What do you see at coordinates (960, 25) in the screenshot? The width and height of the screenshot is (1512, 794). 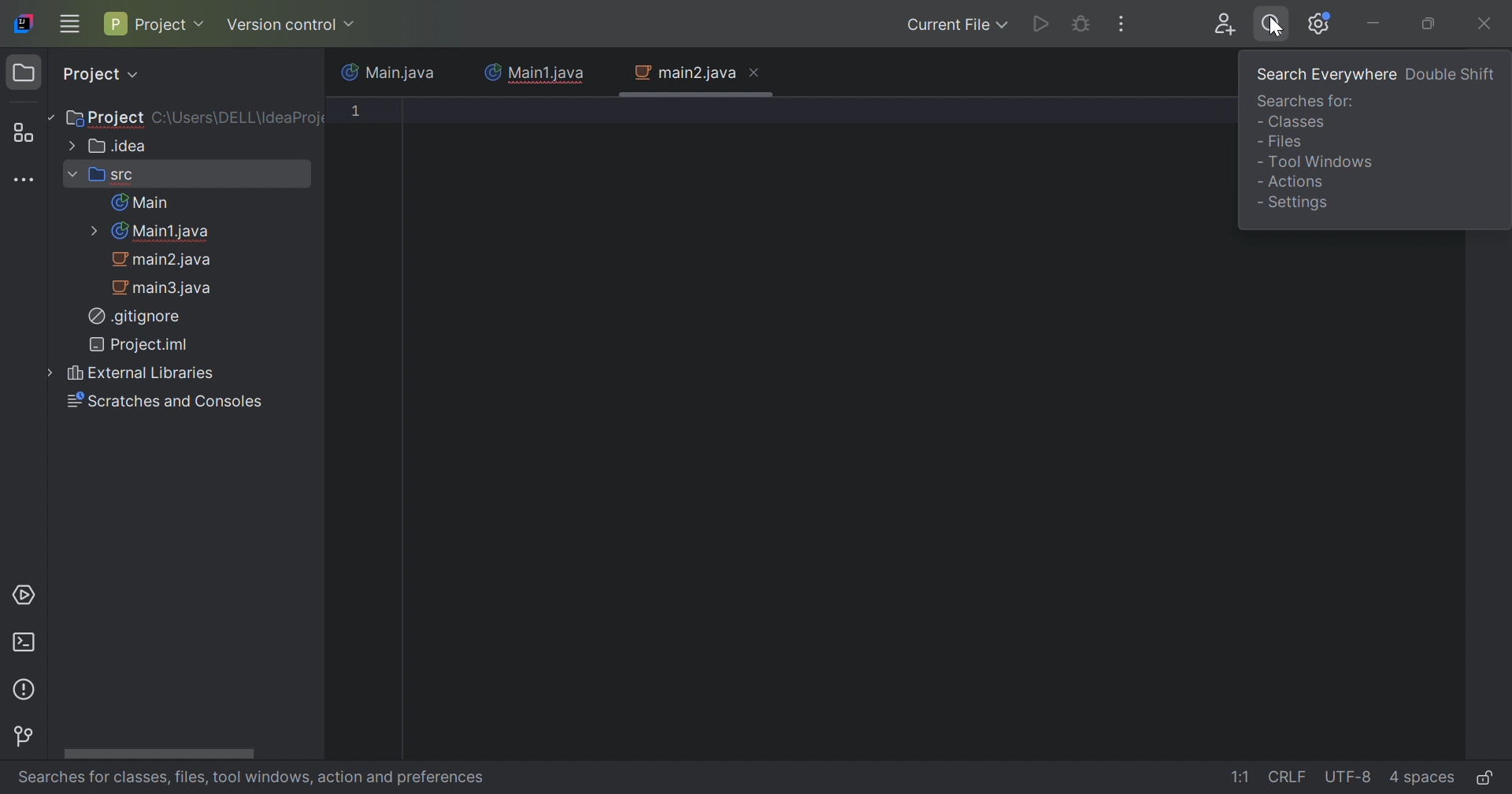 I see `Current File` at bounding box center [960, 25].